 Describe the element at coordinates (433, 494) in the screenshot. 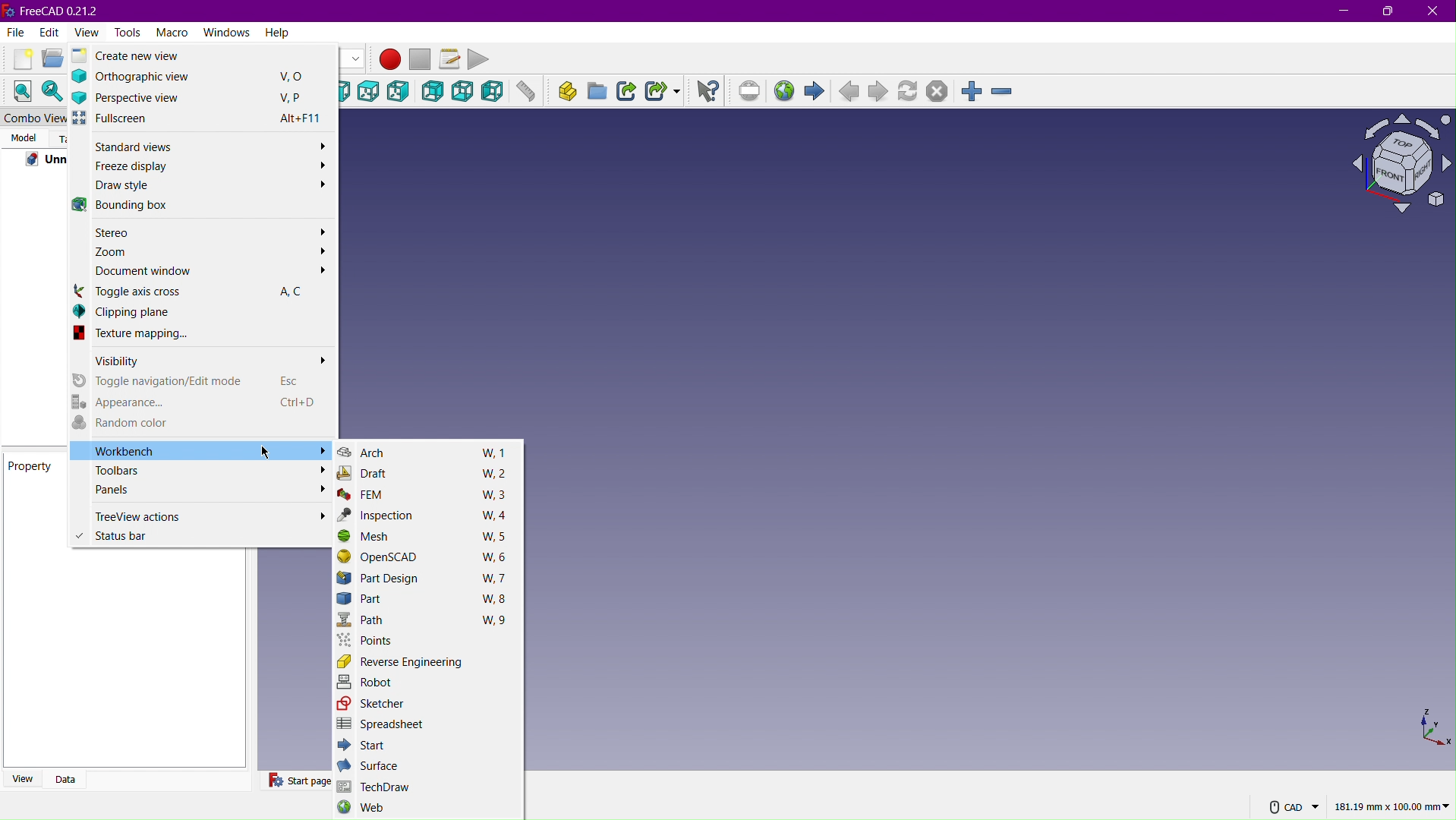

I see `FEM W, 3` at that location.